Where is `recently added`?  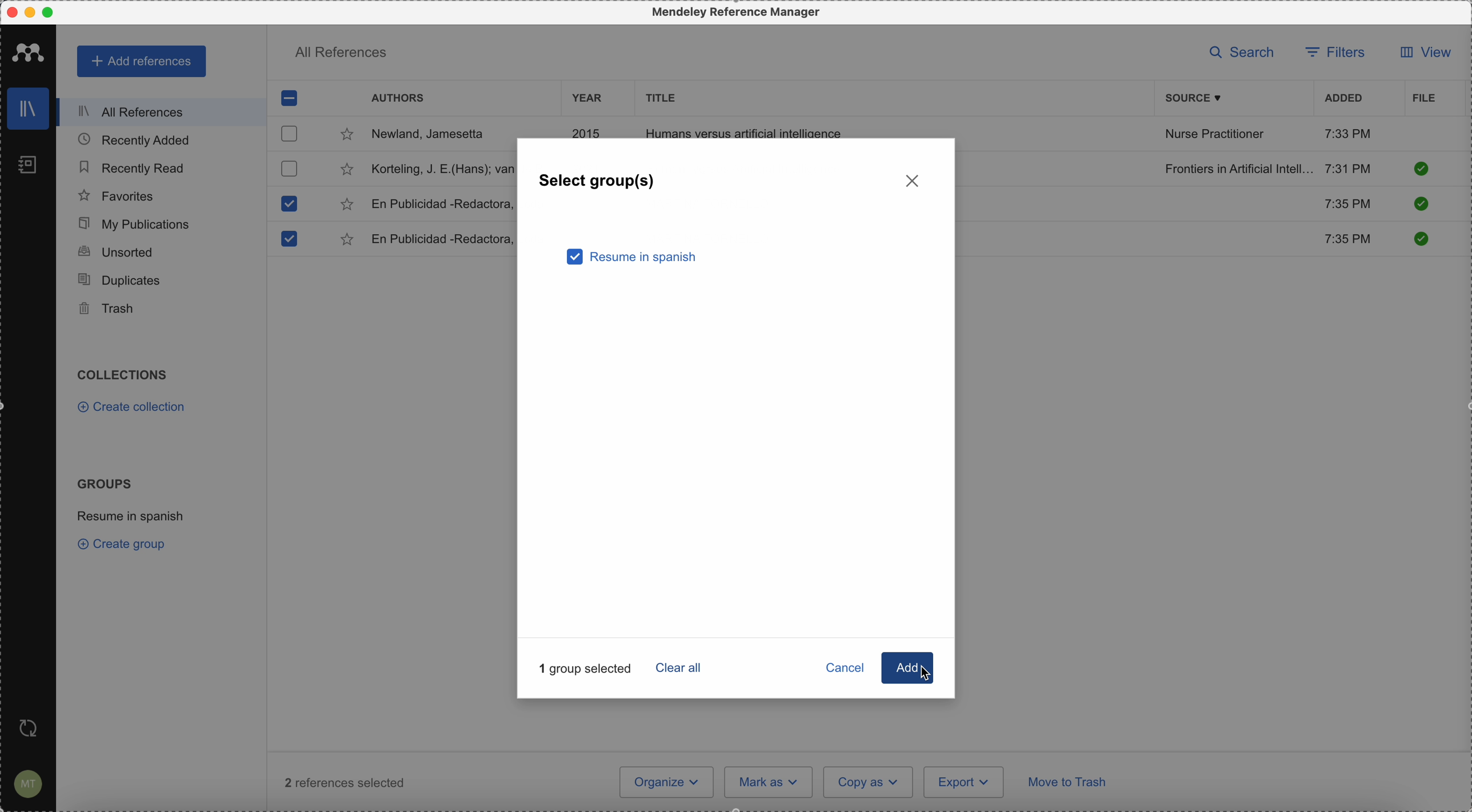 recently added is located at coordinates (143, 139).